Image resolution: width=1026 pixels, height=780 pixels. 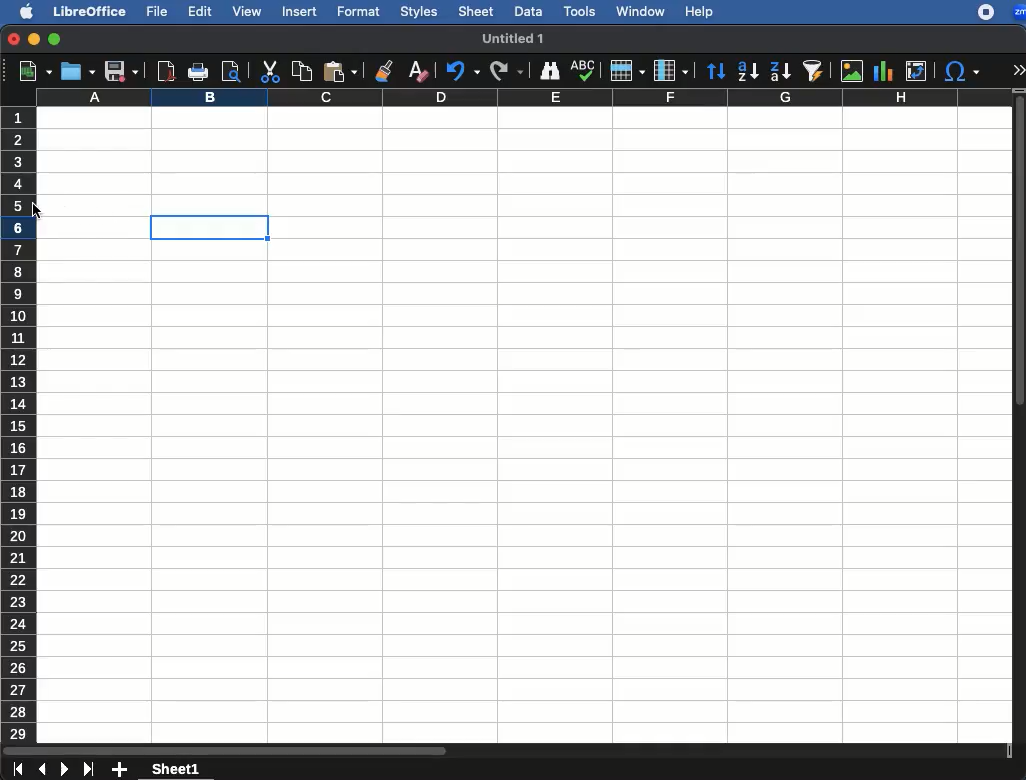 I want to click on format, so click(x=359, y=12).